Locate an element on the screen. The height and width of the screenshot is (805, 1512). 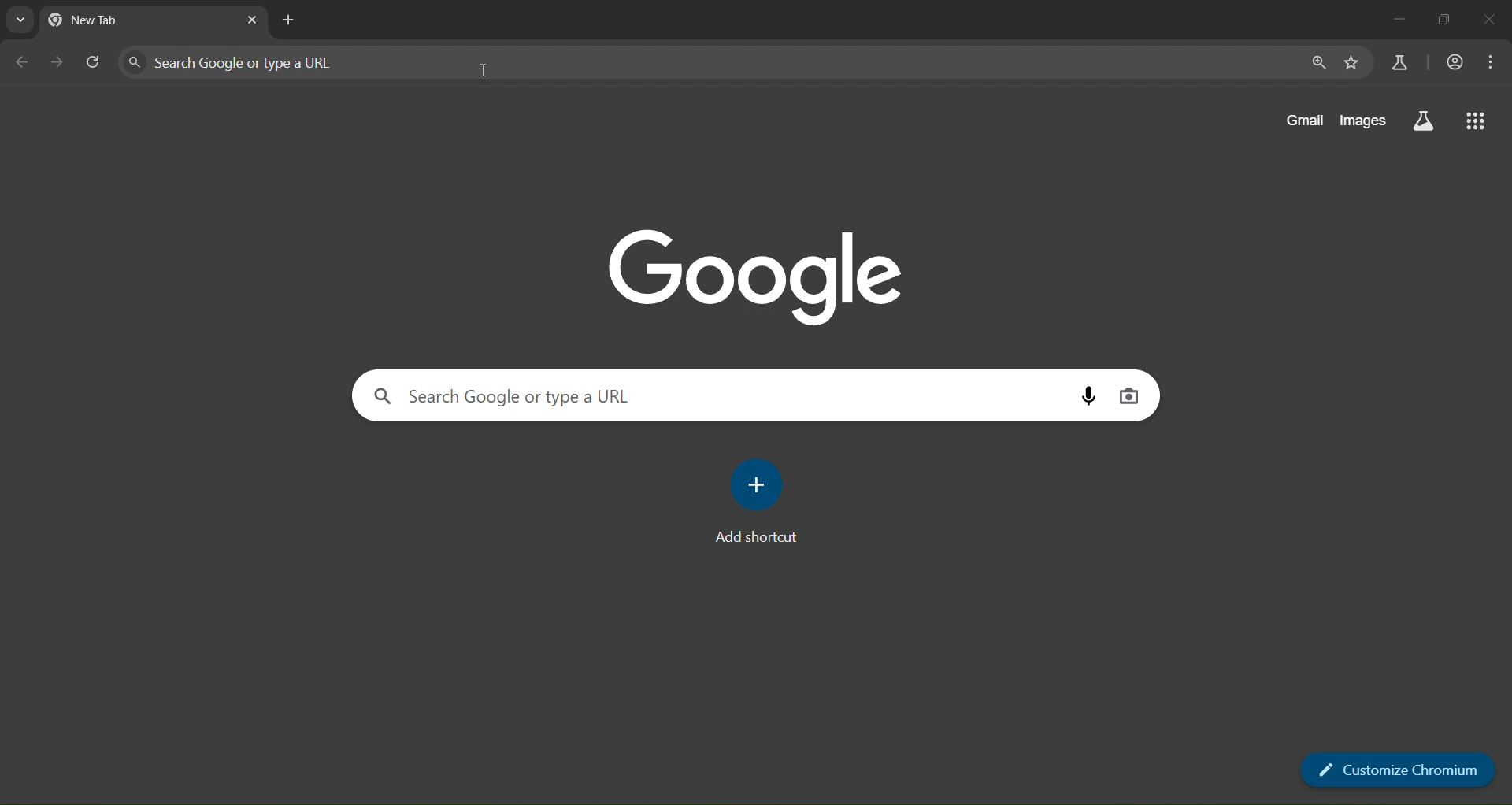
New Tab is located at coordinates (108, 20).